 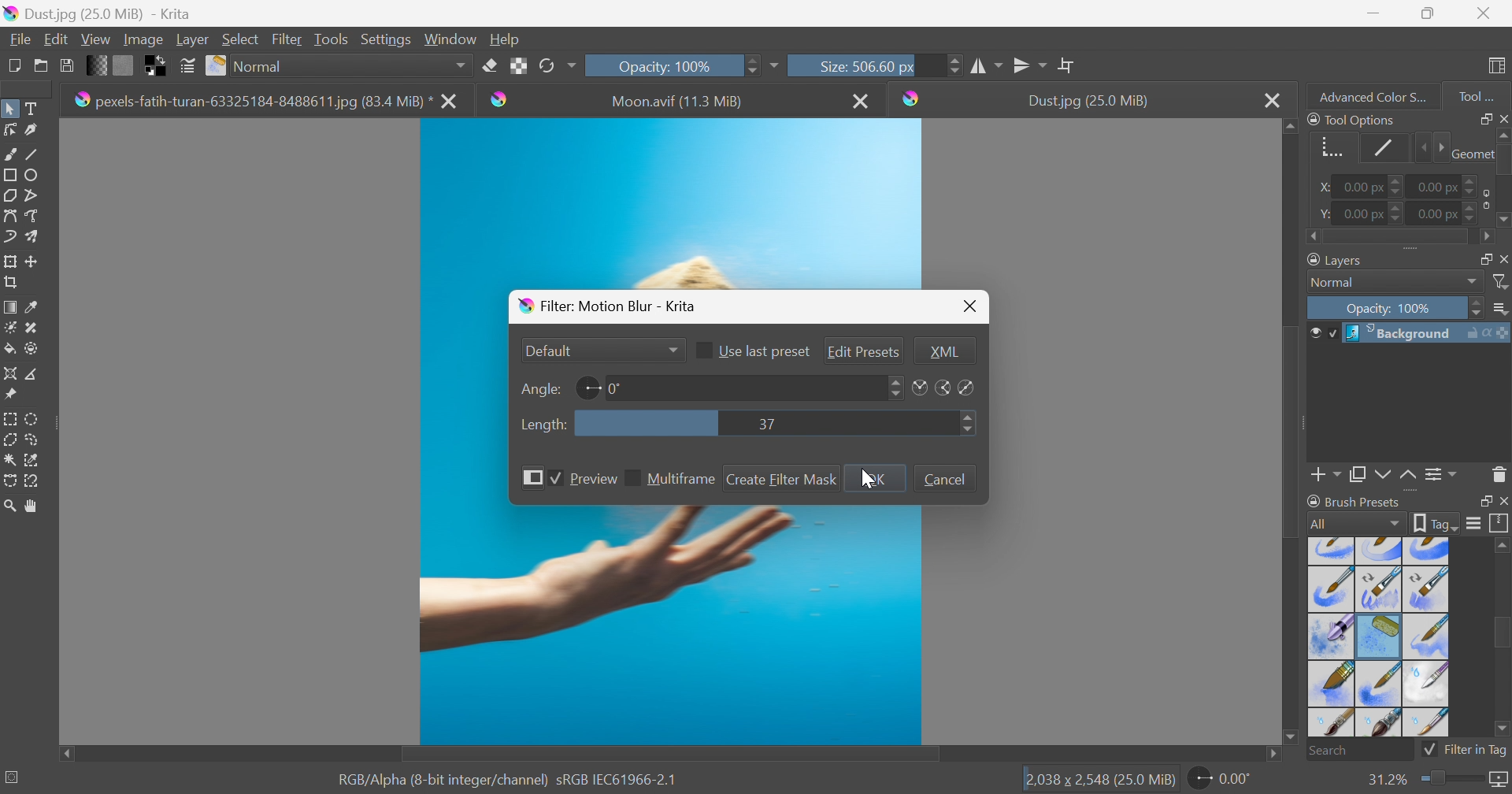 What do you see at coordinates (352, 65) in the screenshot?
I see `Normal` at bounding box center [352, 65].